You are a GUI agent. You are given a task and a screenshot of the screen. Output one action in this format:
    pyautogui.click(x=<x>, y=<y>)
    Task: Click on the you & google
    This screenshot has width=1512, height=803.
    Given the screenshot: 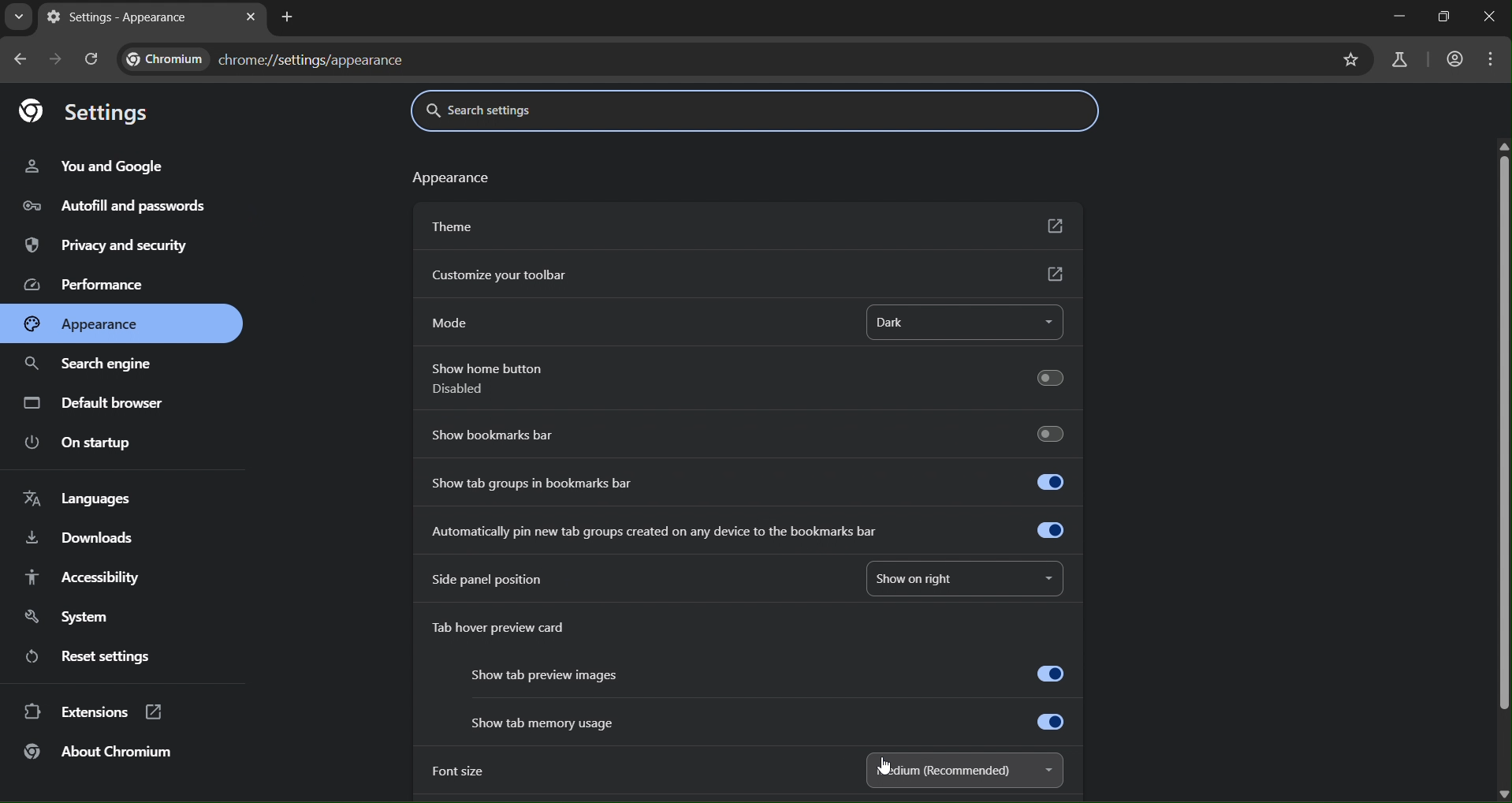 What is the action you would take?
    pyautogui.click(x=92, y=166)
    